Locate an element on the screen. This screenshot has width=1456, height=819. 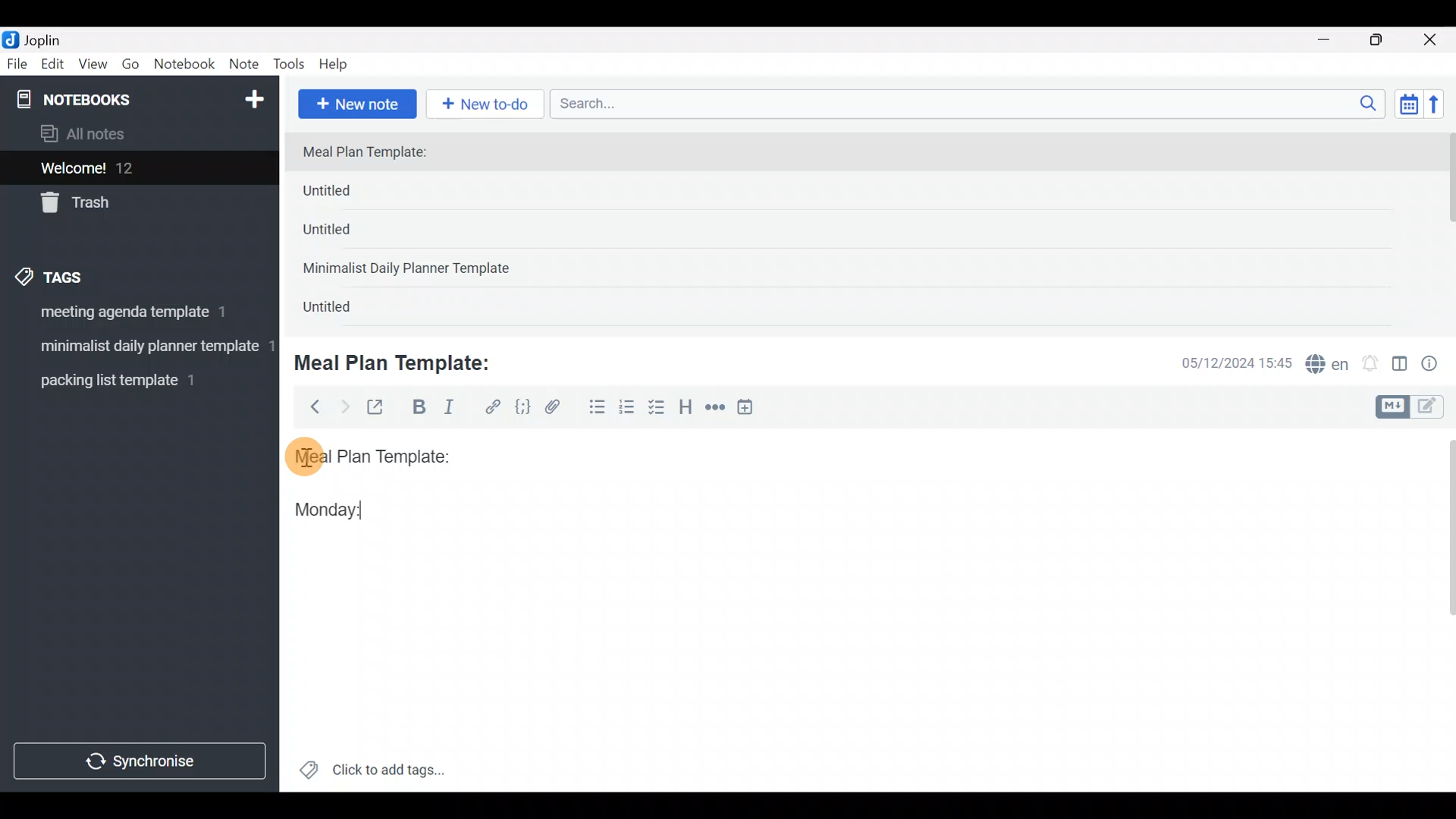
Meal Plan Template: is located at coordinates (402, 361).